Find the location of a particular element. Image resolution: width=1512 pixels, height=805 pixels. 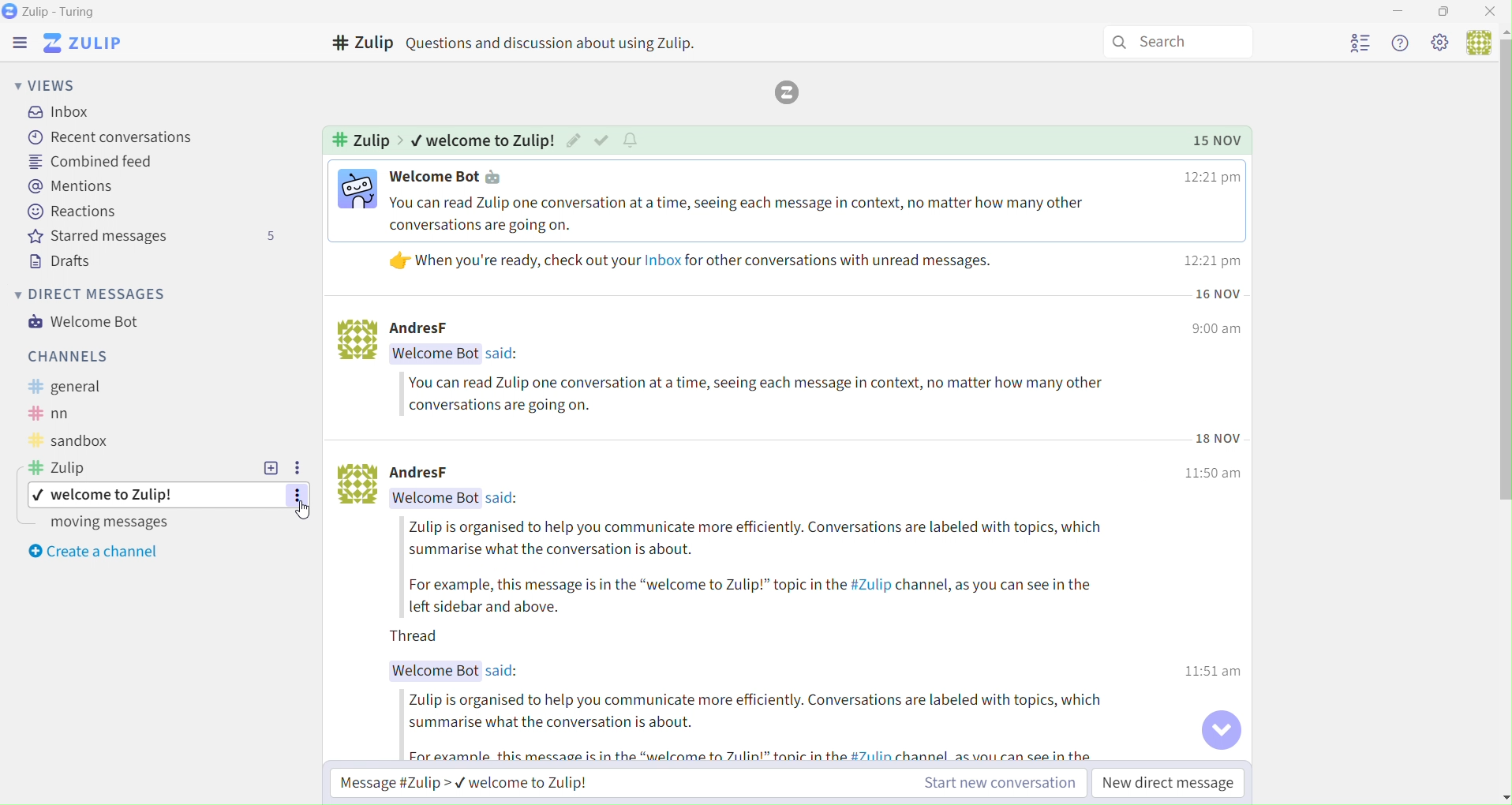

Start new conversation is located at coordinates (1001, 783).